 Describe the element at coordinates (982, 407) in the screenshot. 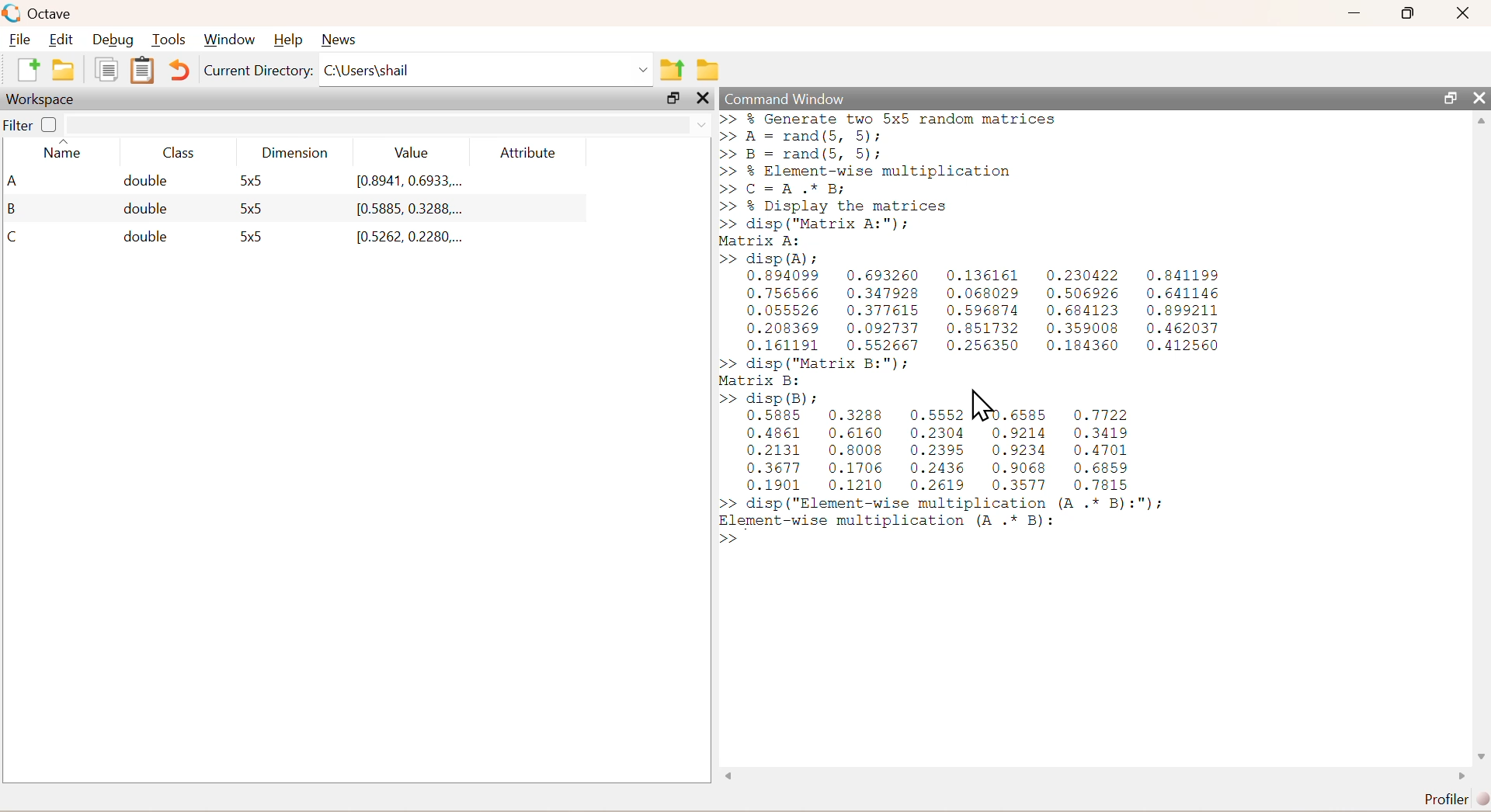

I see `Cursor` at that location.